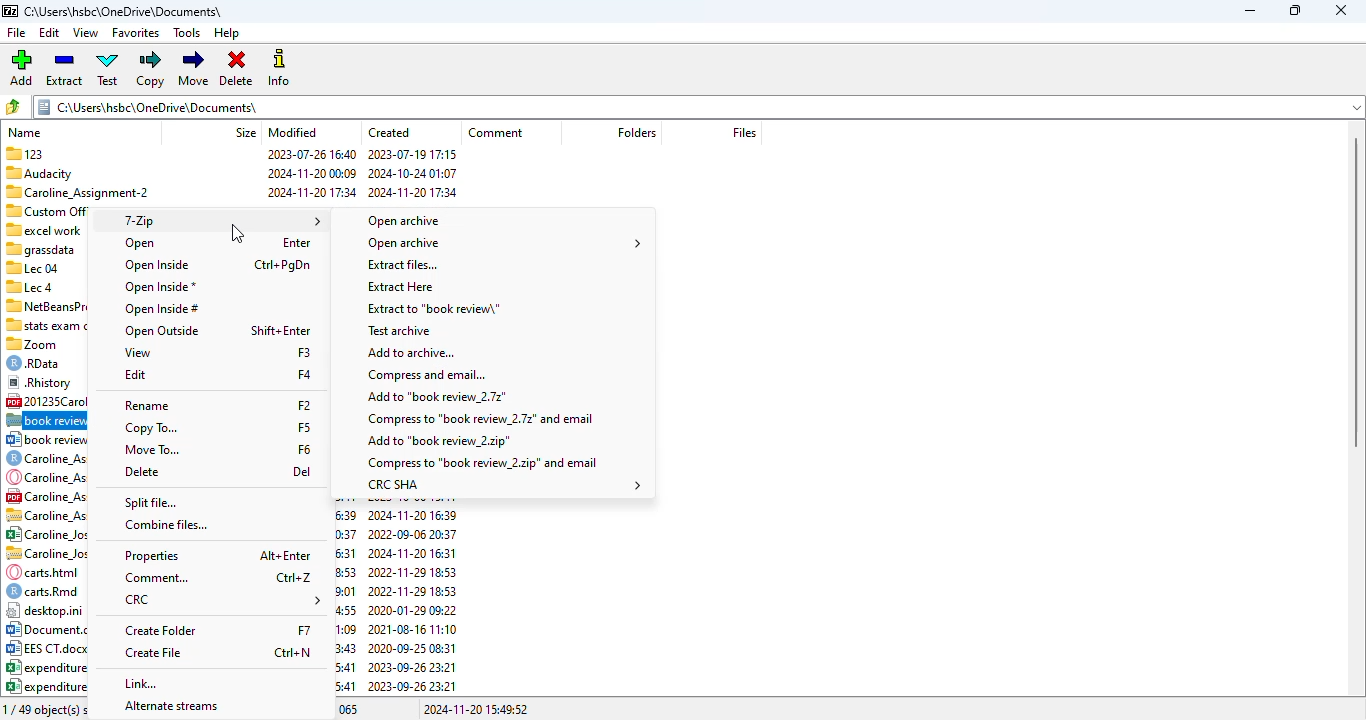  Describe the element at coordinates (32, 286) in the screenshot. I see `Lec 4` at that location.